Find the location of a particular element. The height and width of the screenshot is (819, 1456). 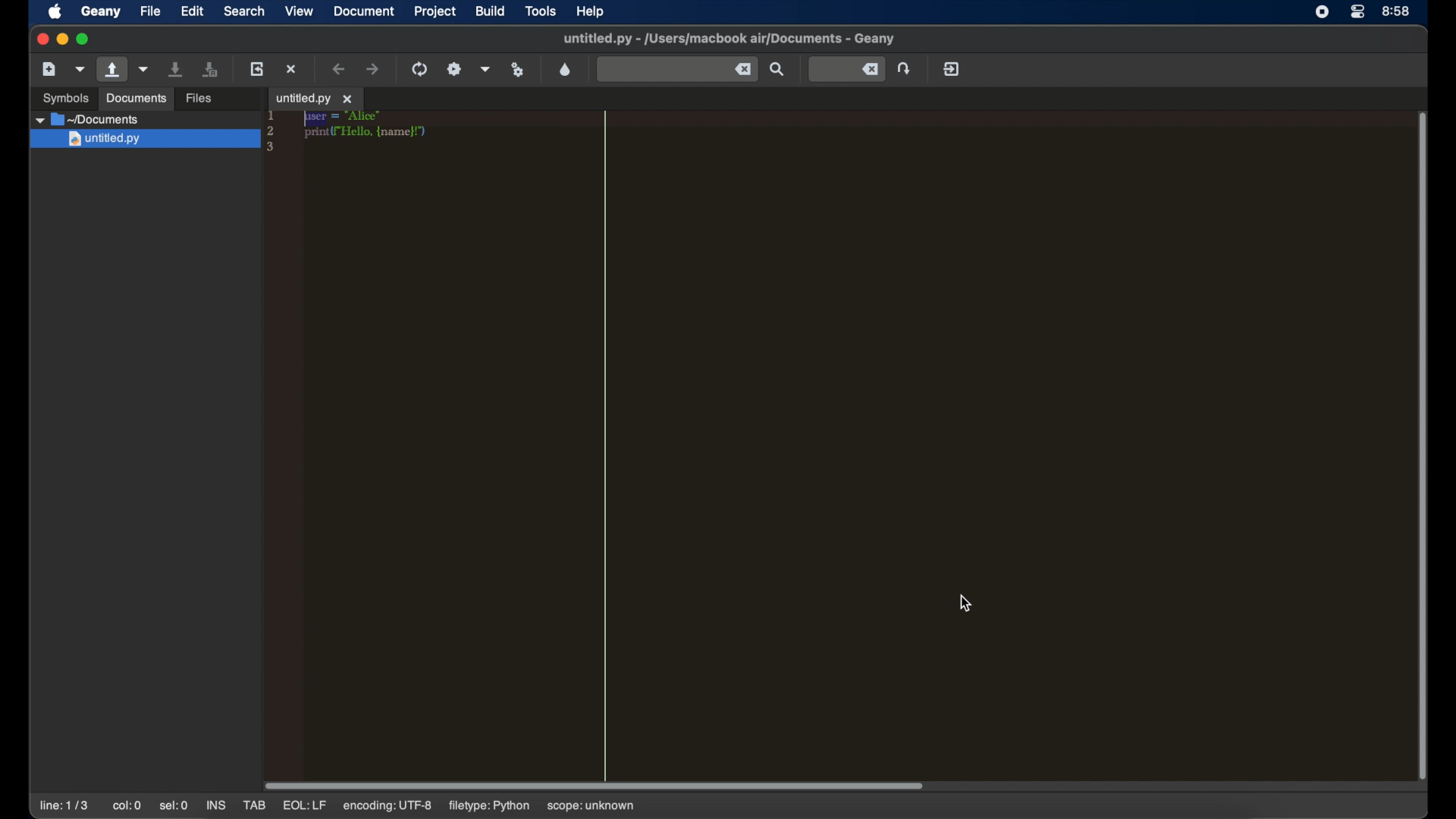

compile the current file is located at coordinates (419, 69).